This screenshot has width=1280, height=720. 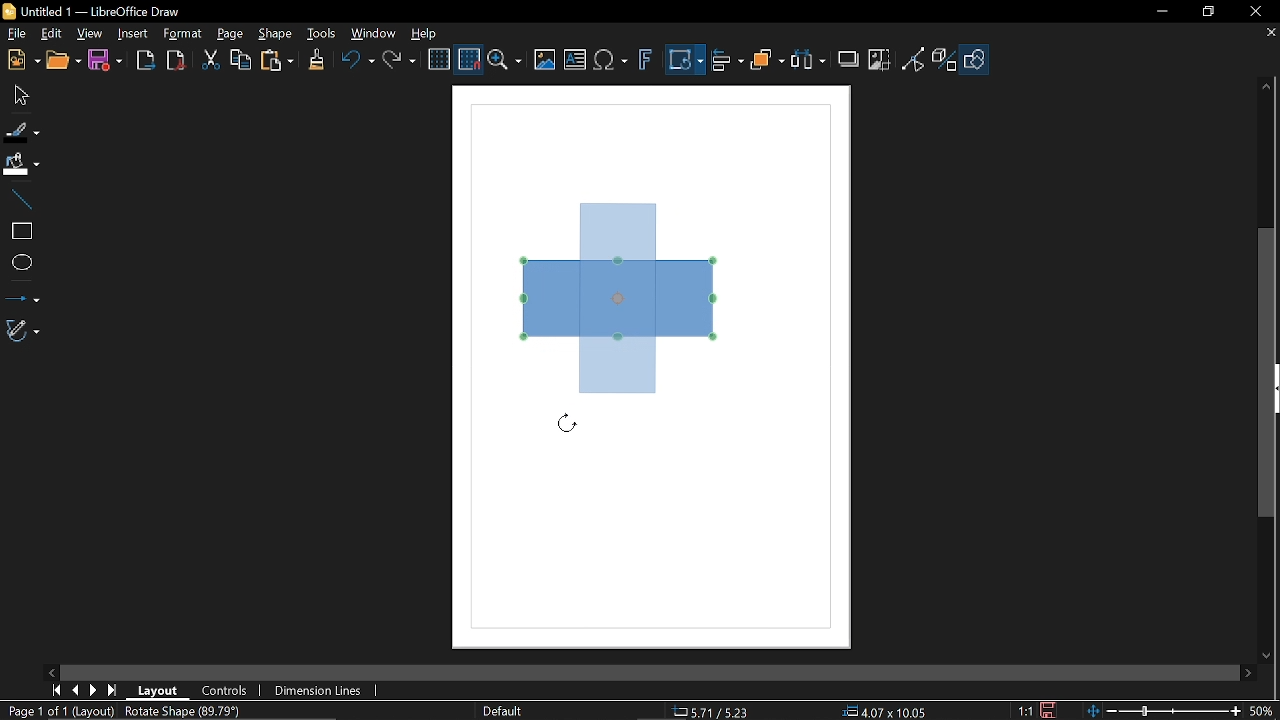 What do you see at coordinates (398, 62) in the screenshot?
I see `Redo` at bounding box center [398, 62].